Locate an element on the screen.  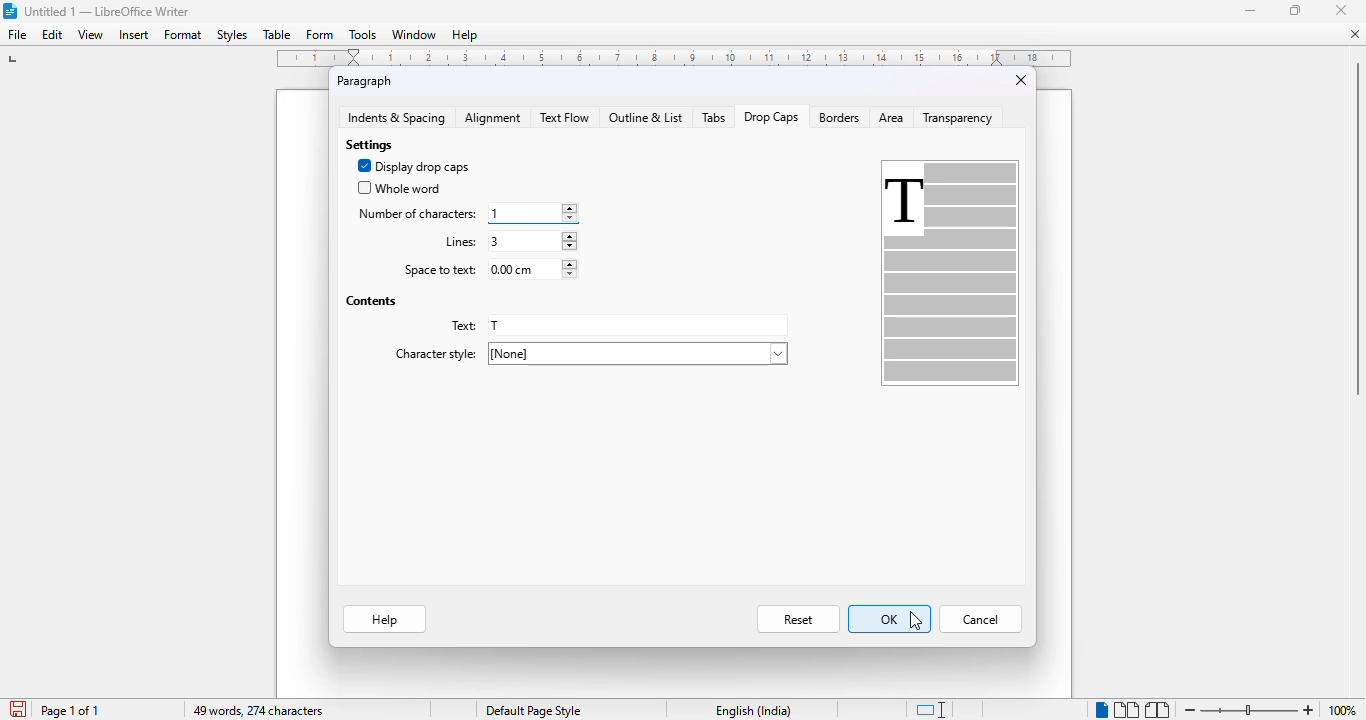
100% is located at coordinates (1339, 710).